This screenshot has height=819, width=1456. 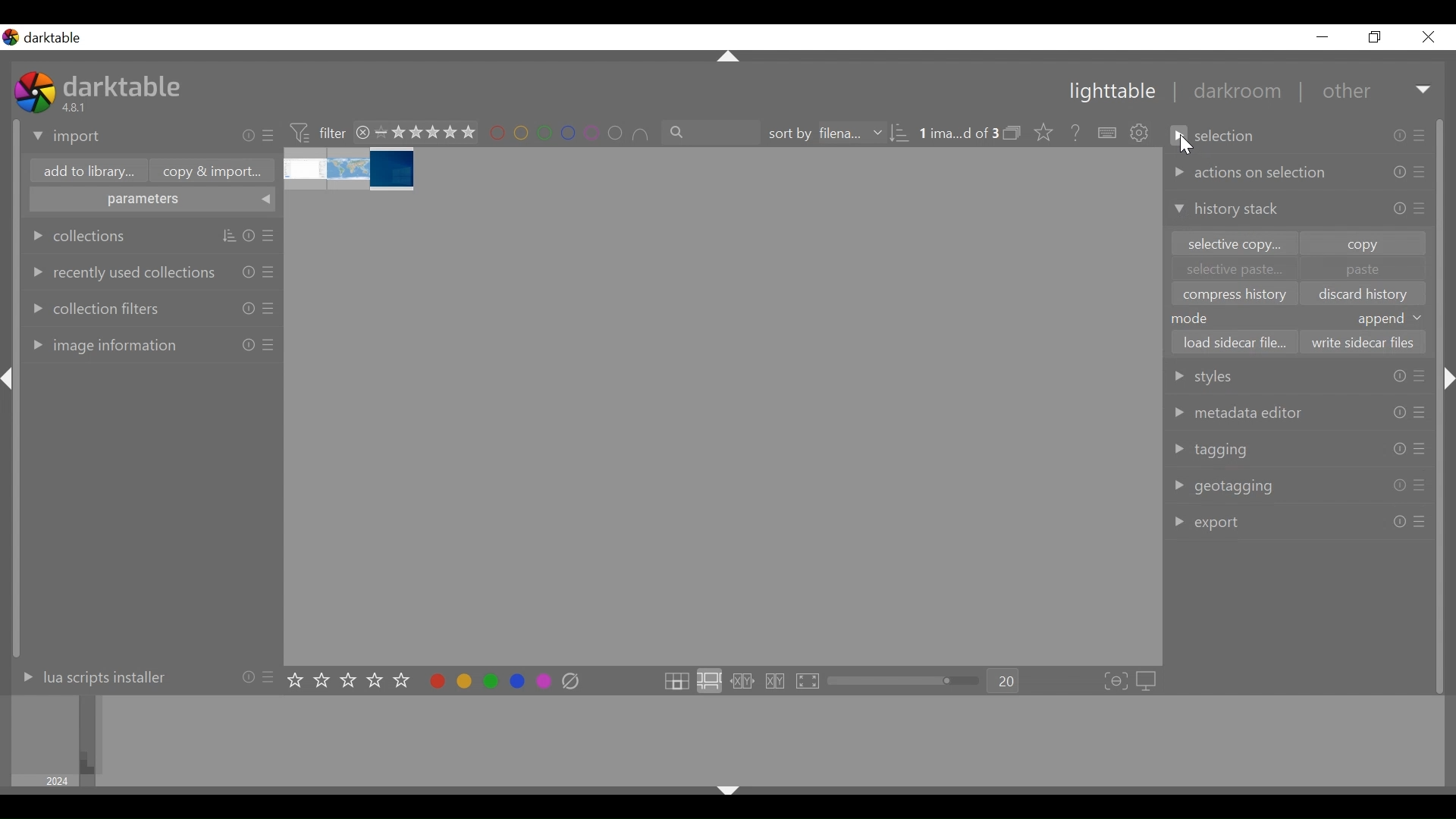 I want to click on set display profile, so click(x=1148, y=681).